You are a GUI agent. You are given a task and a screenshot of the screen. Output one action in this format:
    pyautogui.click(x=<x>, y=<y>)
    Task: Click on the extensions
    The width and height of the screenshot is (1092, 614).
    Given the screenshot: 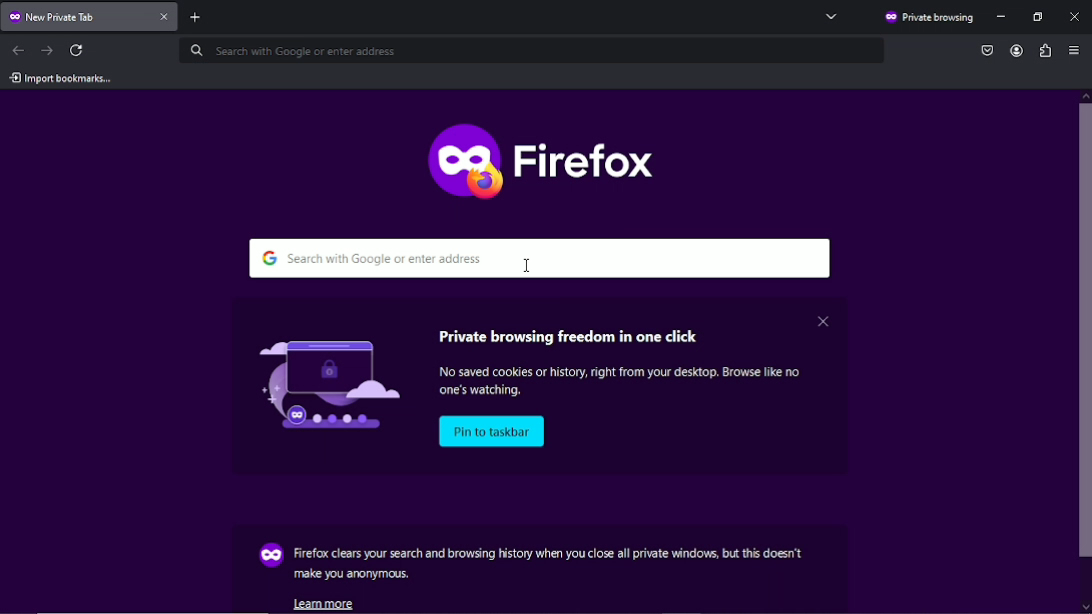 What is the action you would take?
    pyautogui.click(x=1044, y=50)
    